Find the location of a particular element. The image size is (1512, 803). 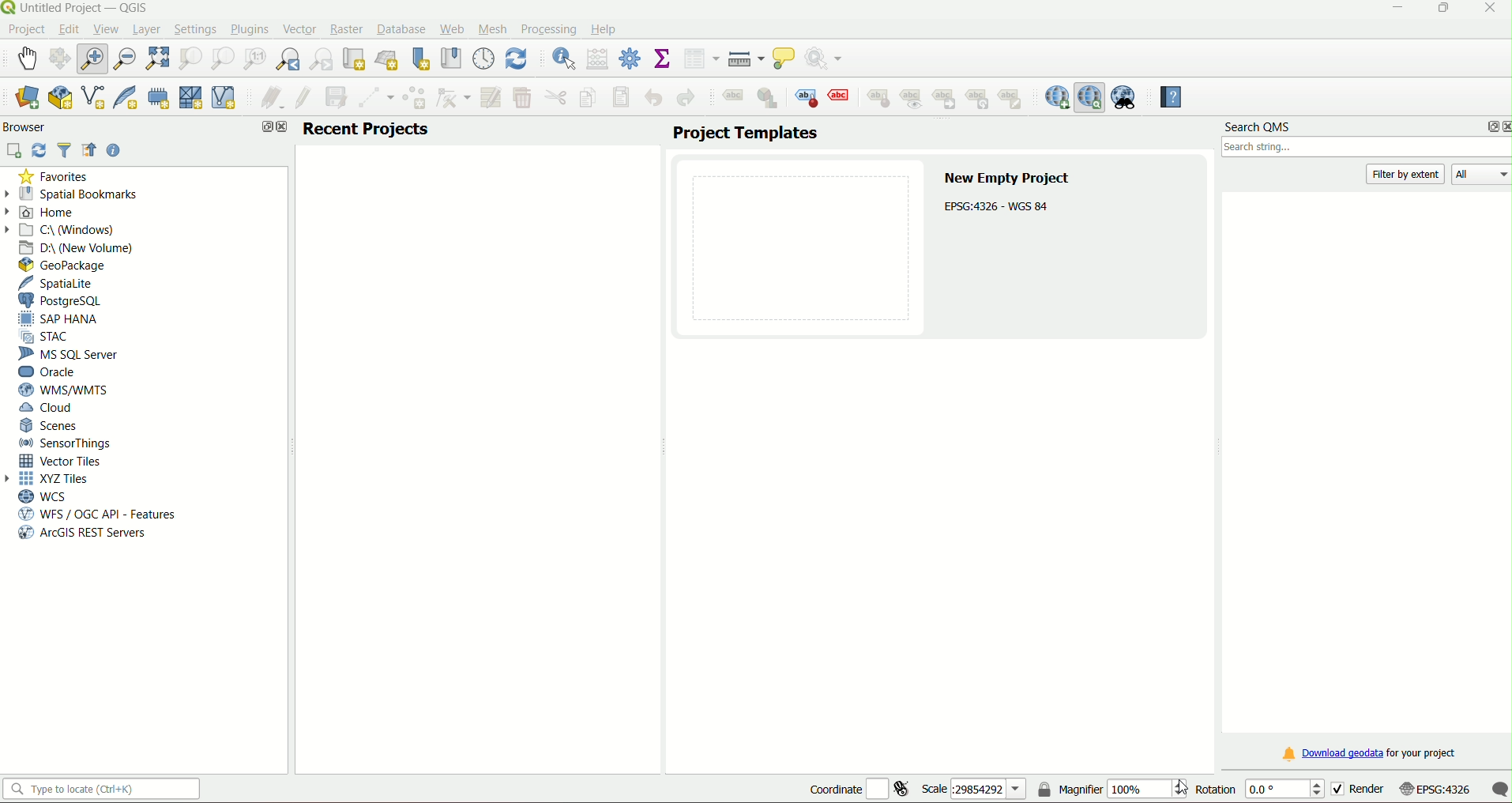

undo  is located at coordinates (655, 97).